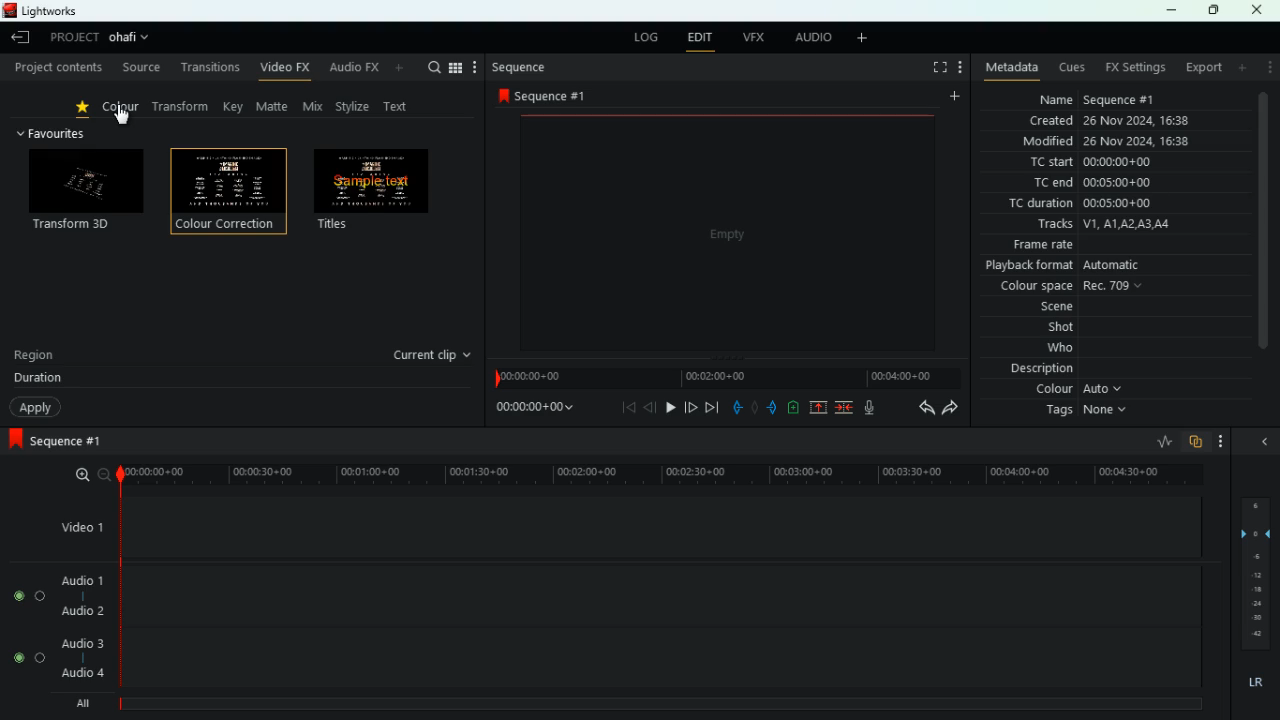  Describe the element at coordinates (434, 67) in the screenshot. I see `search` at that location.